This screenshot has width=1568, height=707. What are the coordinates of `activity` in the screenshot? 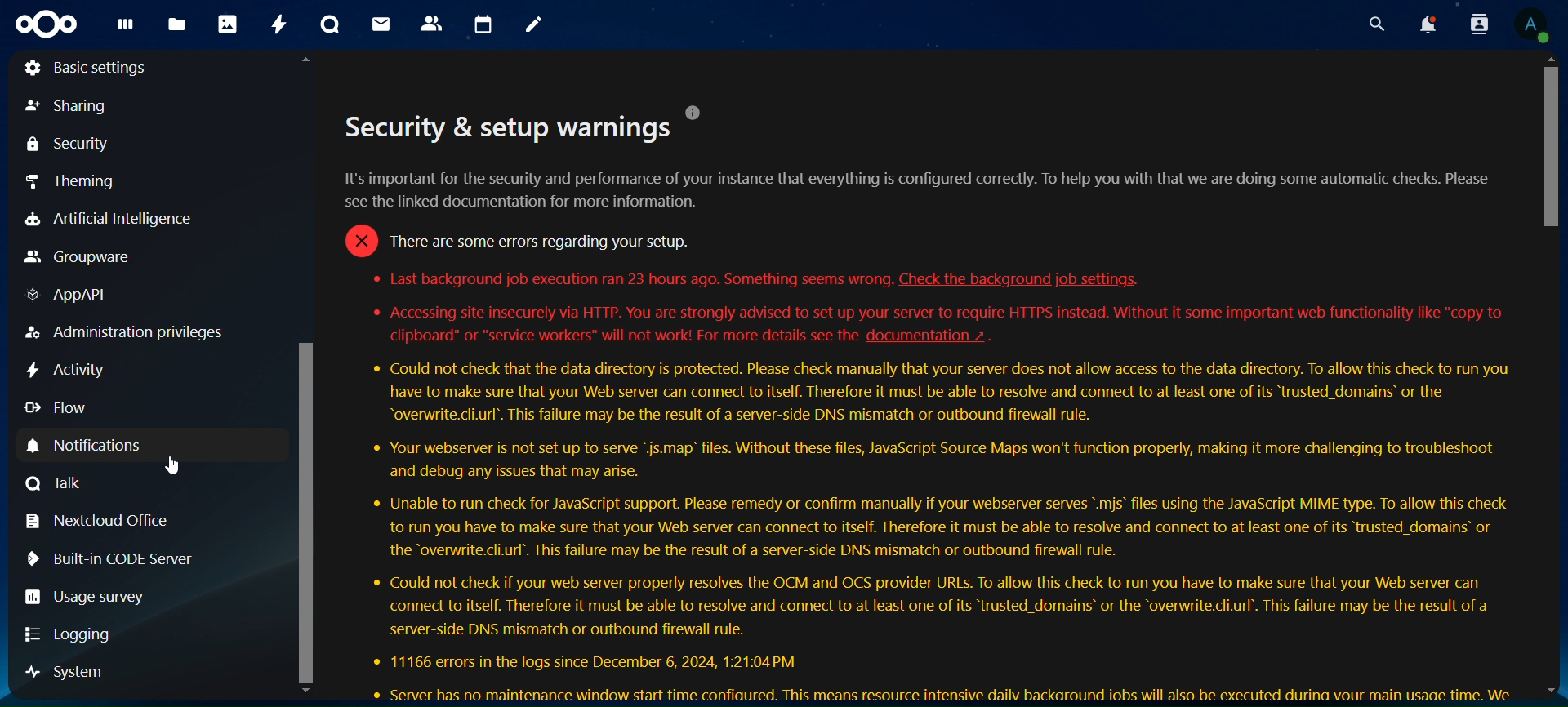 It's located at (65, 371).